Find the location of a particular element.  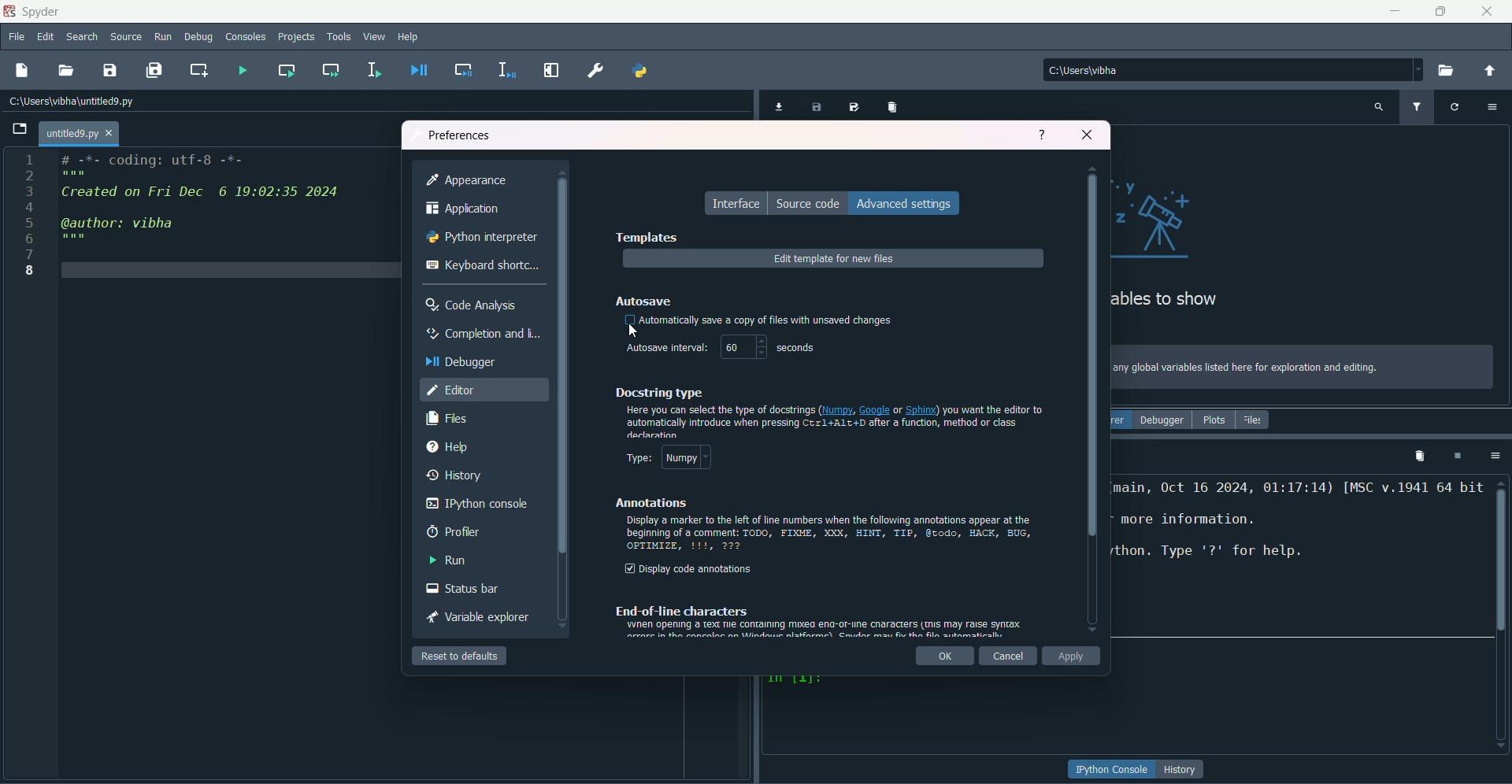

minimize/maximize is located at coordinates (1440, 11).